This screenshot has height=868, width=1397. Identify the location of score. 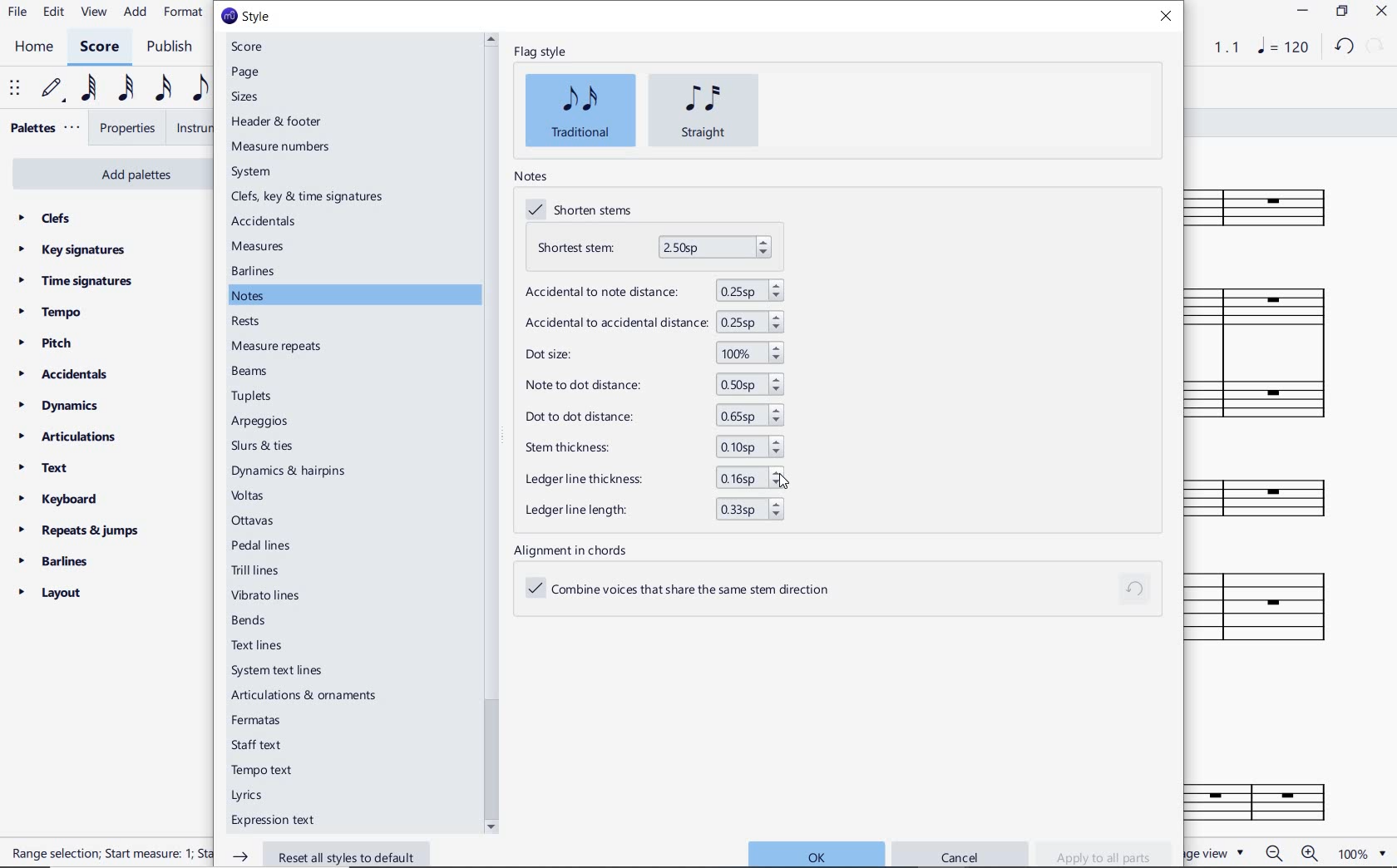
(248, 47).